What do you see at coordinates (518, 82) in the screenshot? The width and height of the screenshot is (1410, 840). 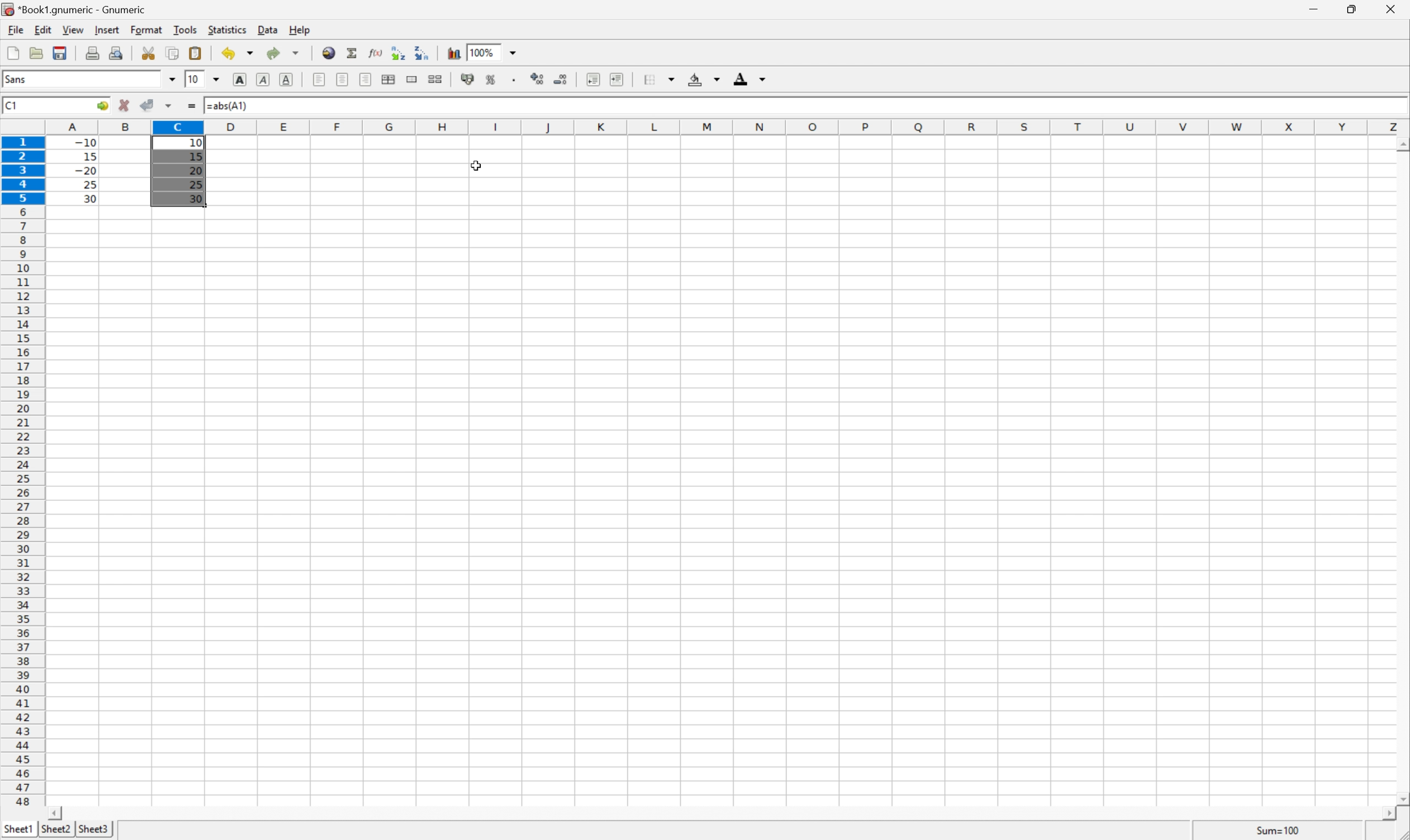 I see `Set the format of the selected cells to include a thousands separator` at bounding box center [518, 82].